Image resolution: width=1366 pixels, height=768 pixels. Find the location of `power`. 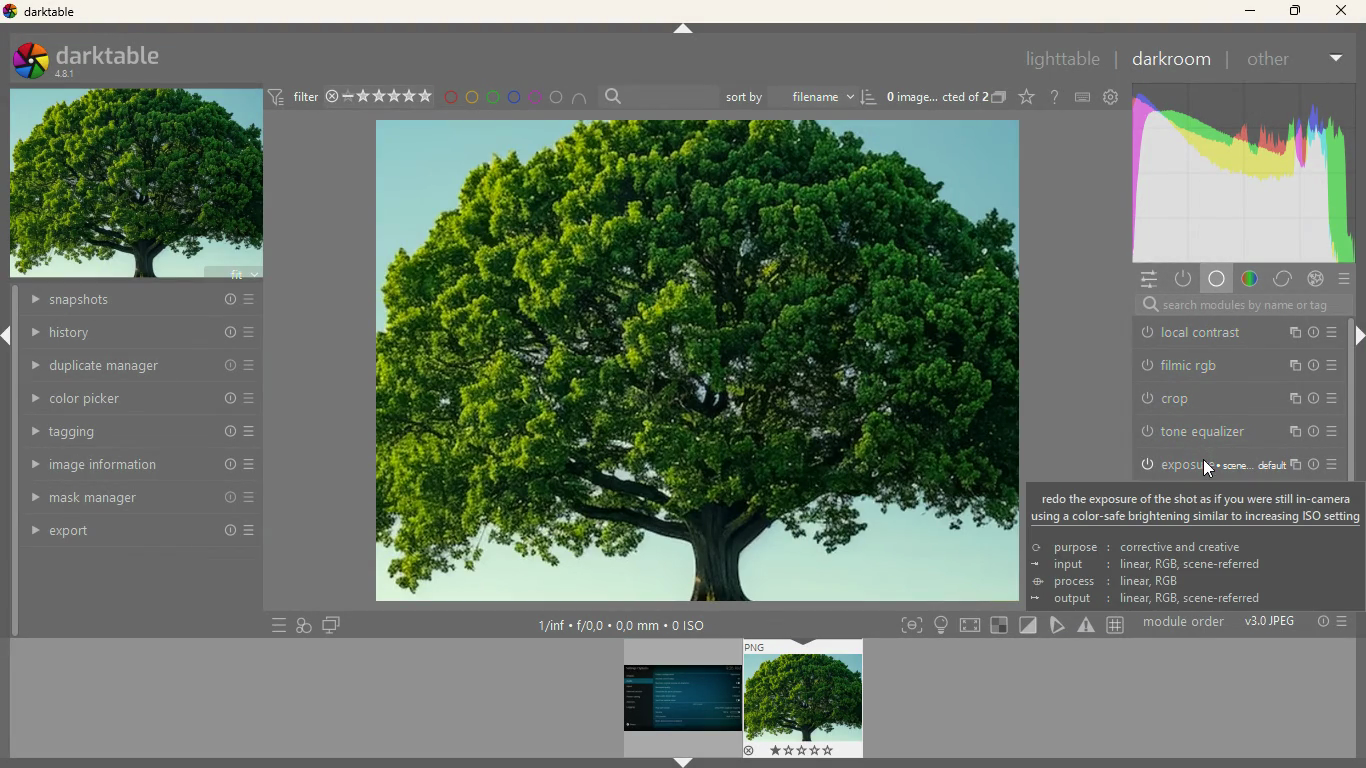

power is located at coordinates (1144, 331).